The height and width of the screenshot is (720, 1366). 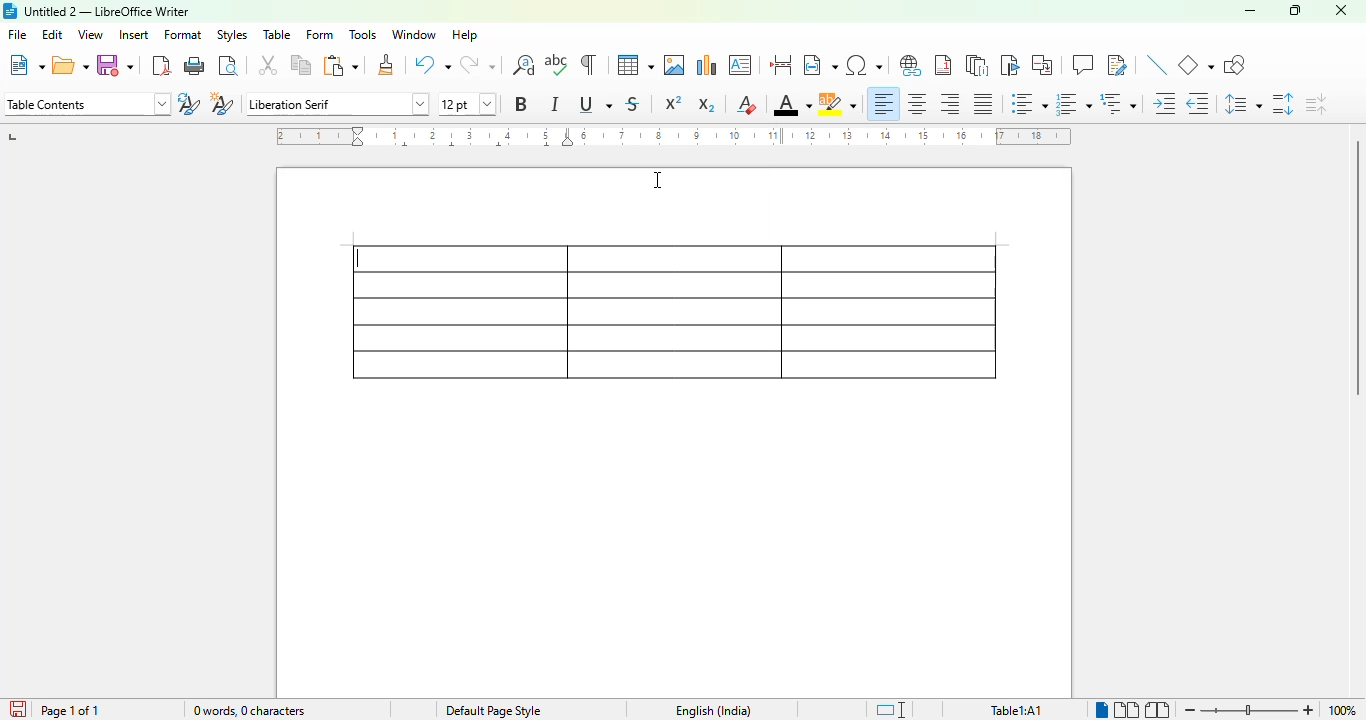 I want to click on insert field, so click(x=820, y=63).